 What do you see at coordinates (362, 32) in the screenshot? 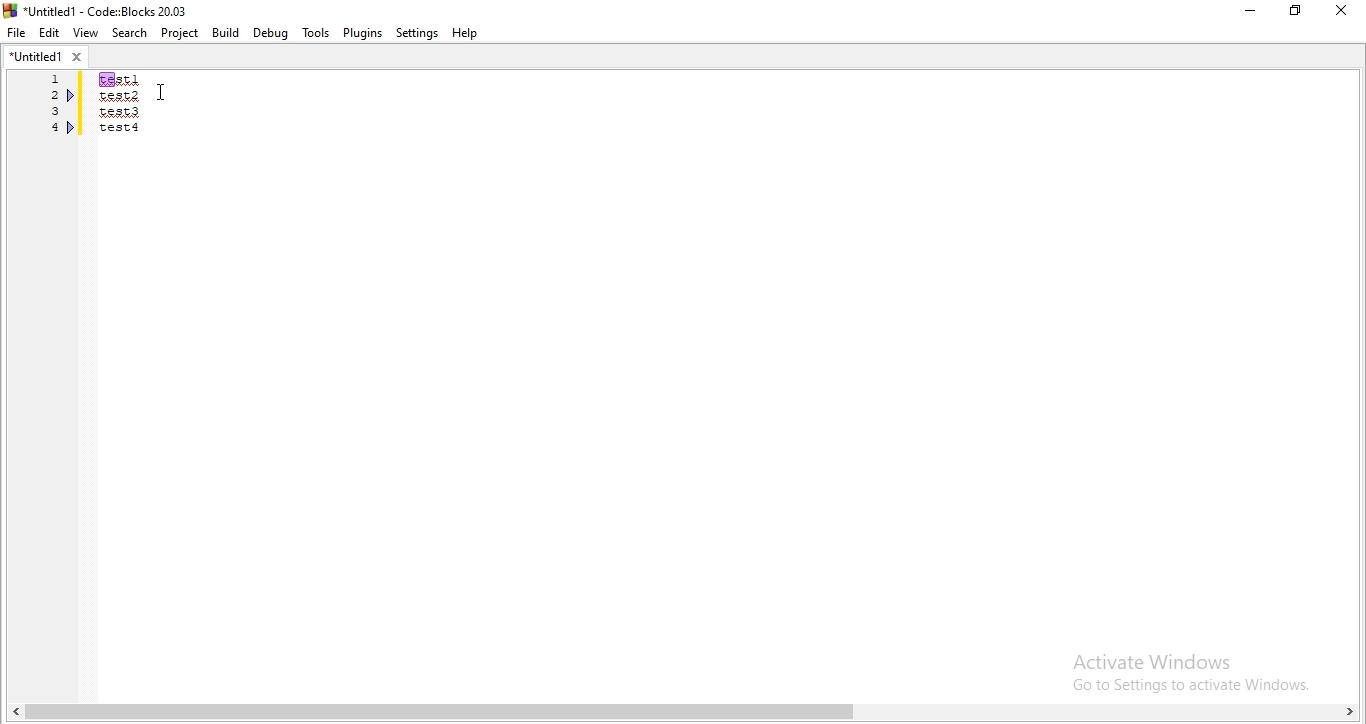
I see `Plugins ` at bounding box center [362, 32].